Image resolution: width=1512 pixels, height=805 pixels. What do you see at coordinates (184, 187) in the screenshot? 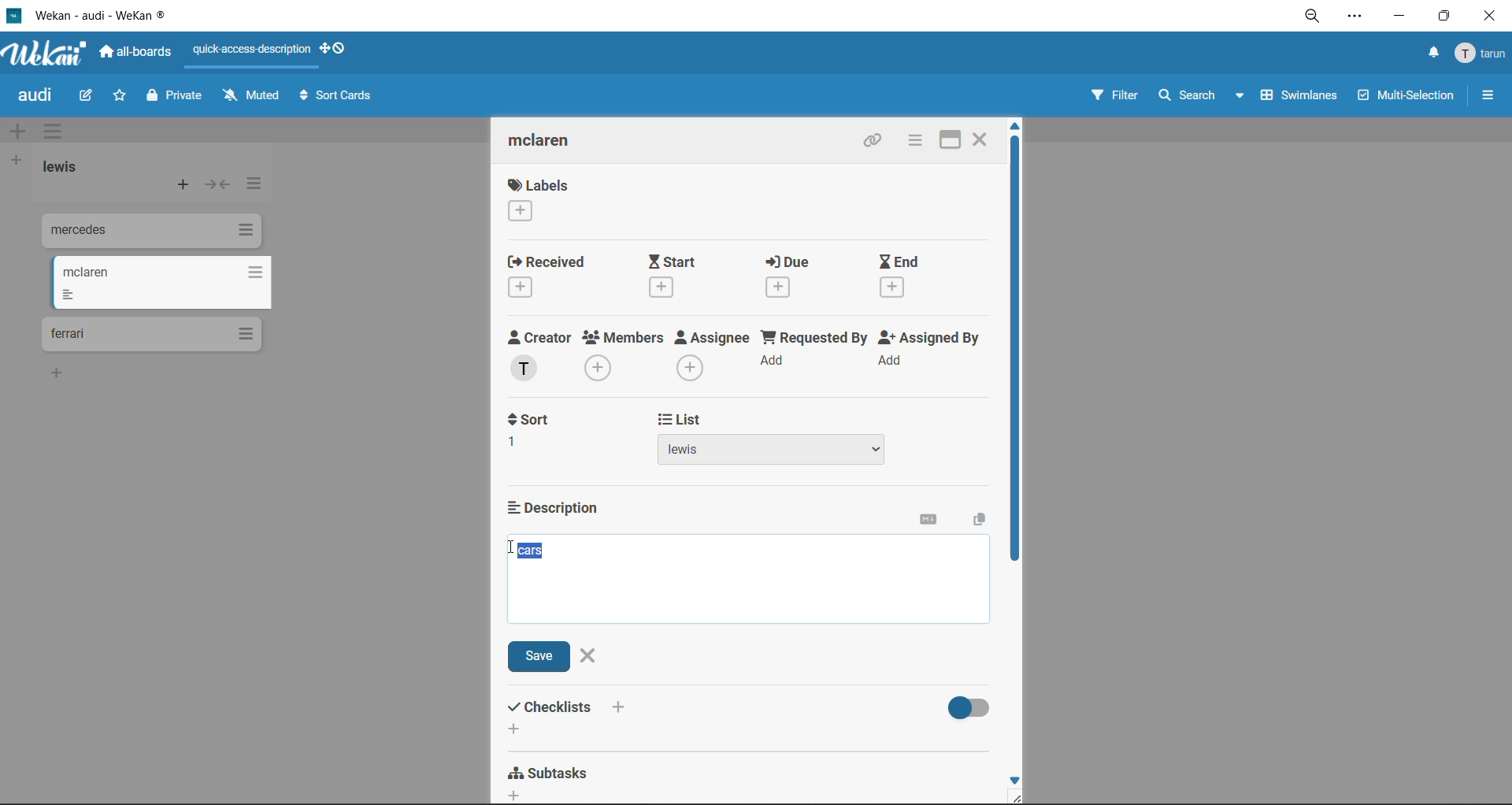
I see `add card` at bounding box center [184, 187].